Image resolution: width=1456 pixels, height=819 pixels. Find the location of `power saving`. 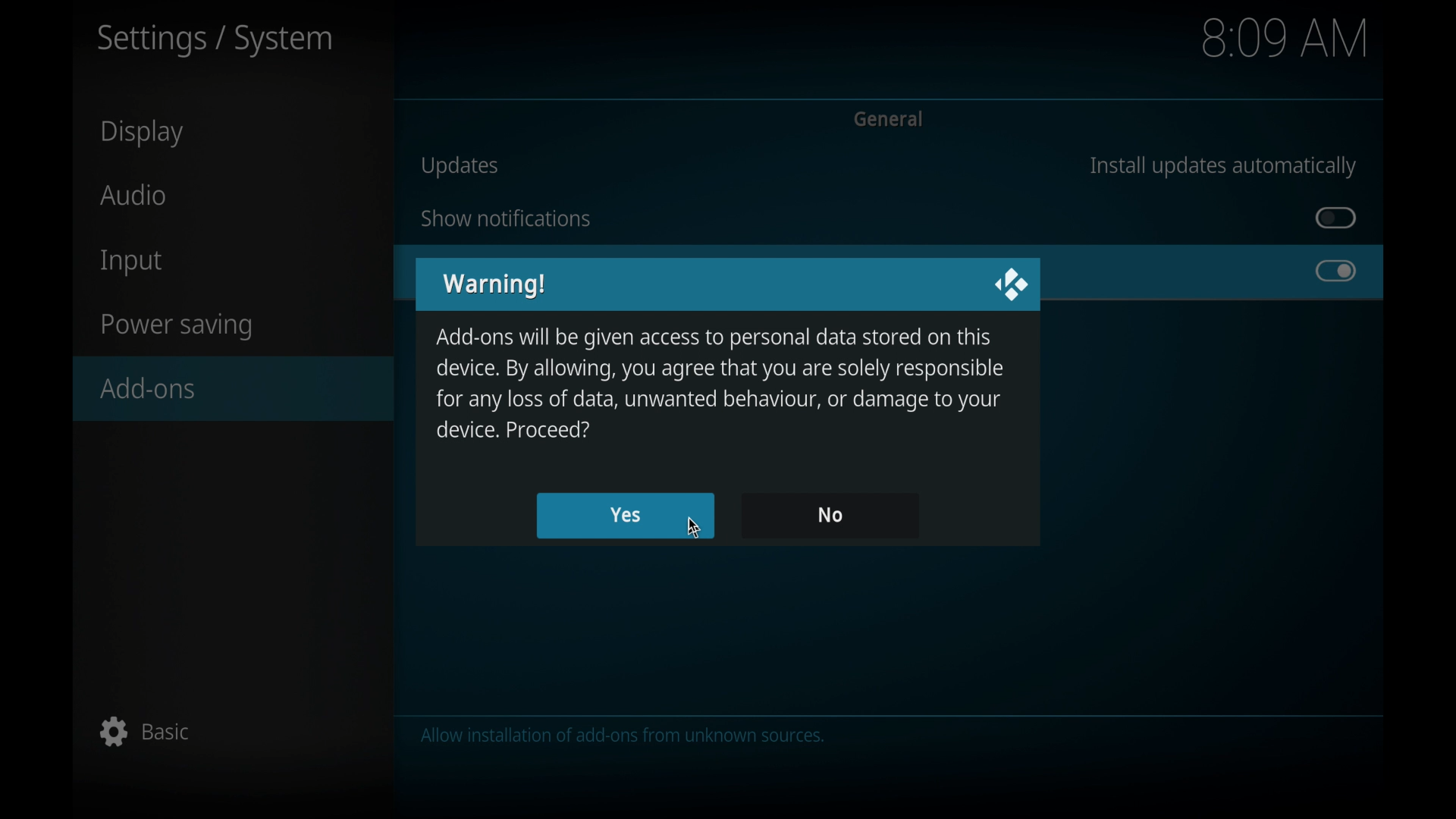

power saving is located at coordinates (177, 327).